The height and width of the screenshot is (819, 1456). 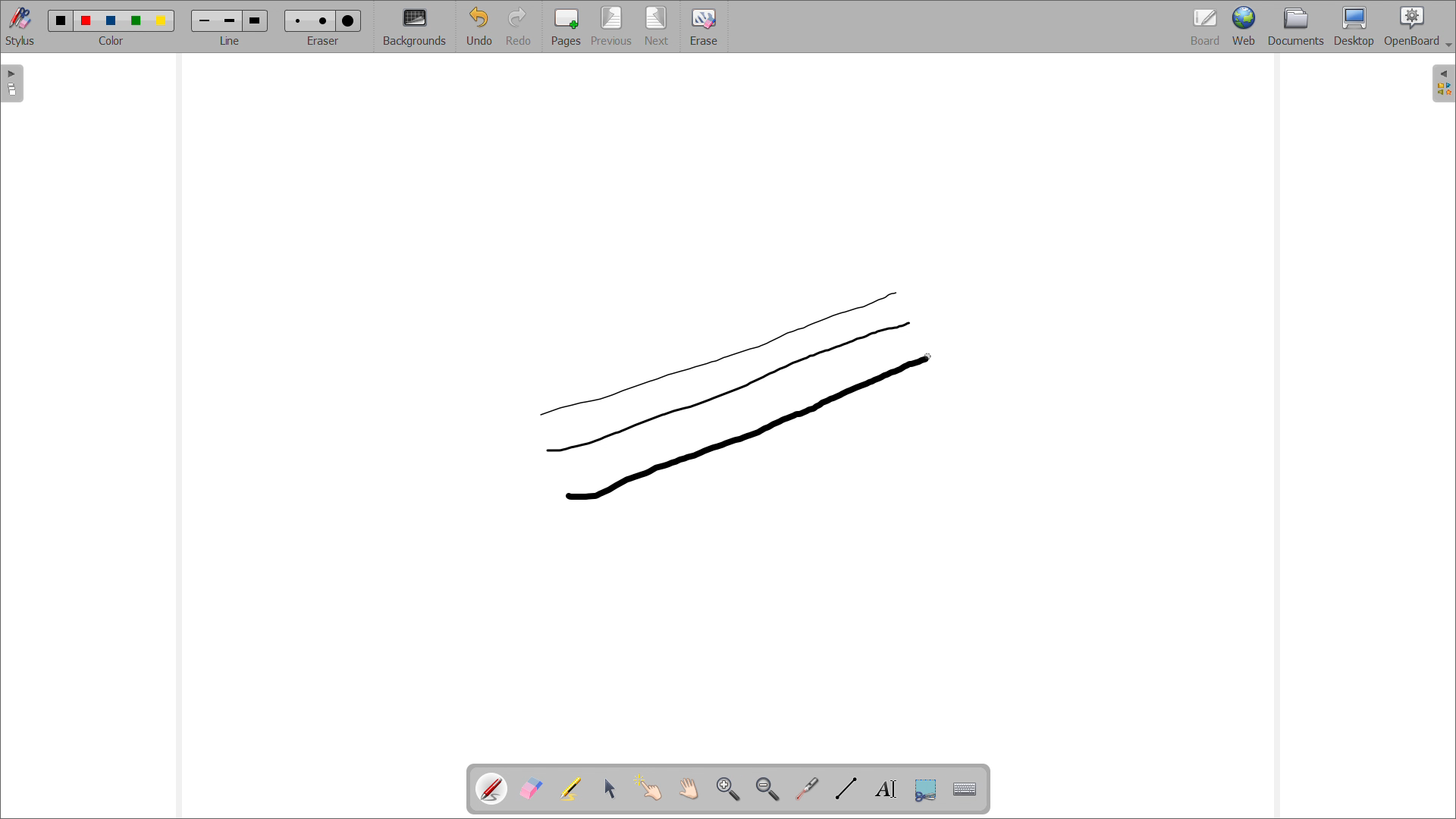 What do you see at coordinates (324, 41) in the screenshot?
I see `select eraser size` at bounding box center [324, 41].